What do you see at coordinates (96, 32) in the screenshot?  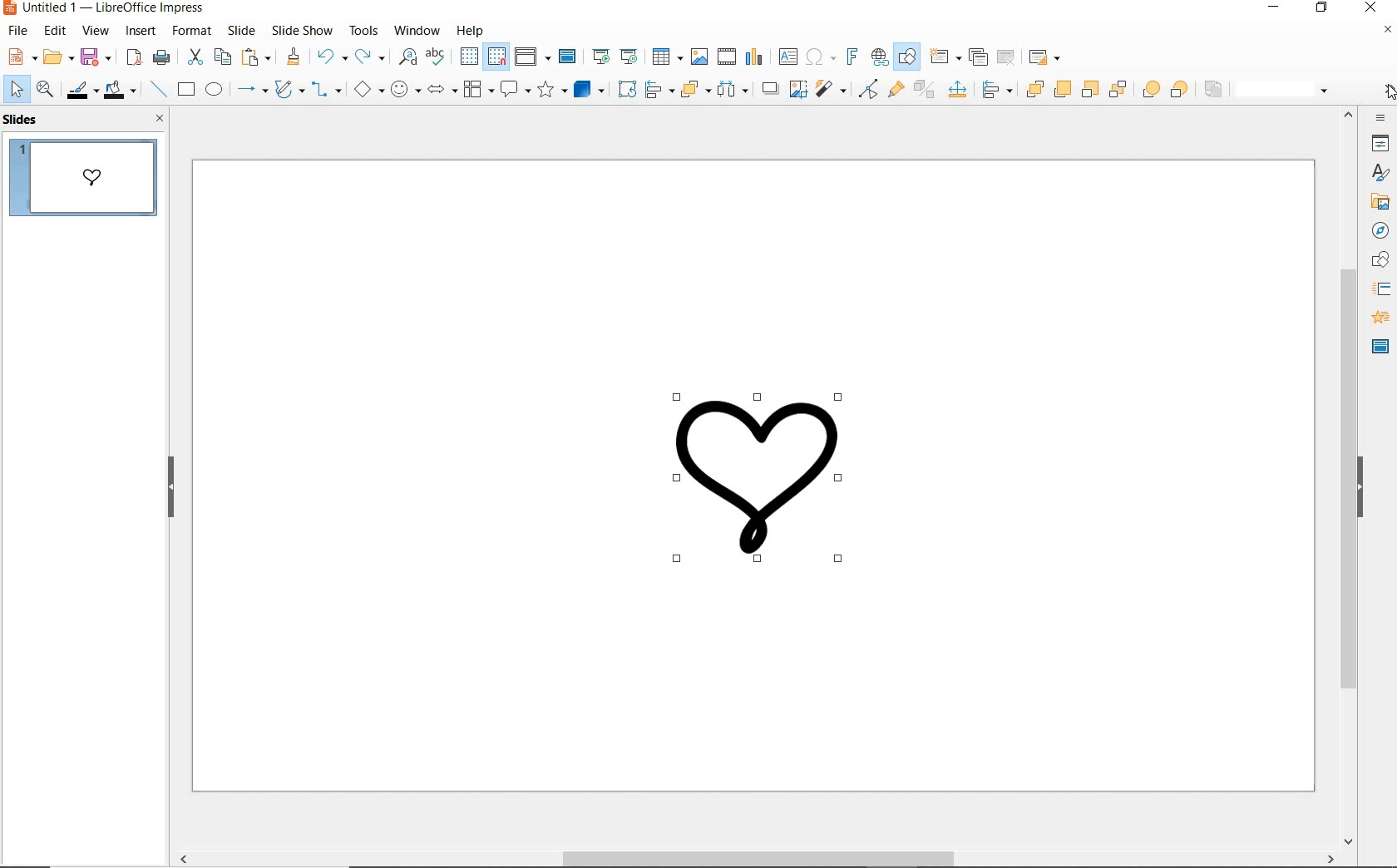 I see `view` at bounding box center [96, 32].